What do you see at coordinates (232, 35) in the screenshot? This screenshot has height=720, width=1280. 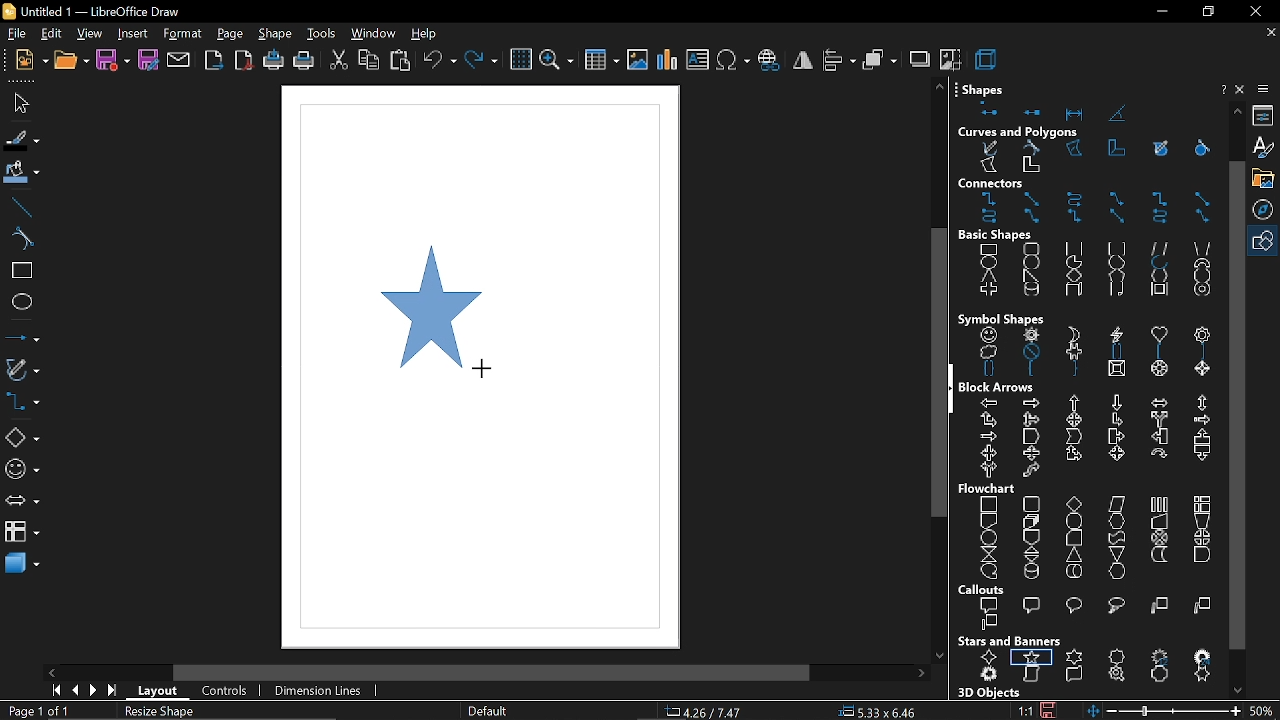 I see `page` at bounding box center [232, 35].